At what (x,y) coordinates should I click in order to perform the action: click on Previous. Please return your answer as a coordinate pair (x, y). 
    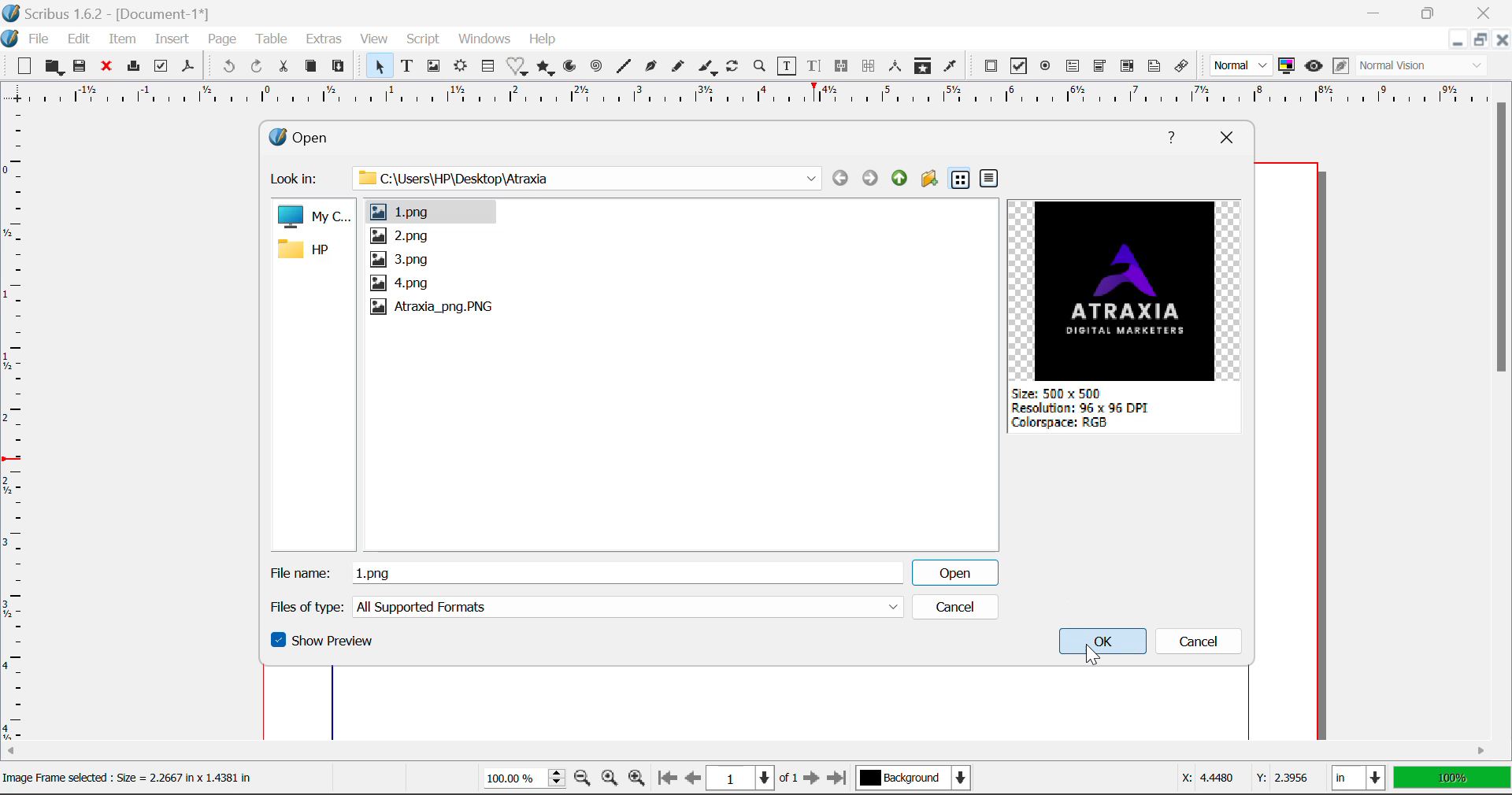
    Looking at the image, I should click on (694, 779).